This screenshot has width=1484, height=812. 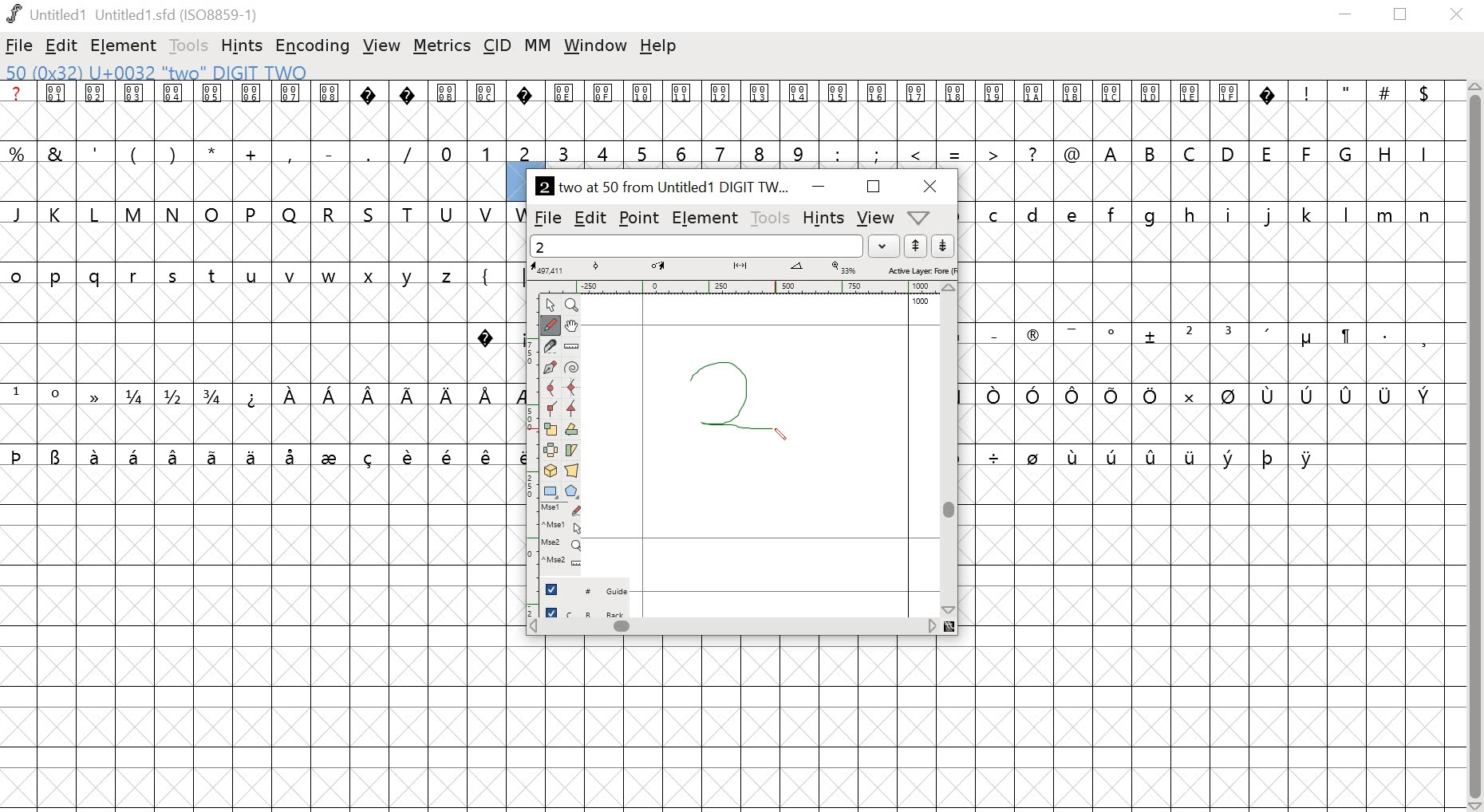 I want to click on tools, so click(x=189, y=46).